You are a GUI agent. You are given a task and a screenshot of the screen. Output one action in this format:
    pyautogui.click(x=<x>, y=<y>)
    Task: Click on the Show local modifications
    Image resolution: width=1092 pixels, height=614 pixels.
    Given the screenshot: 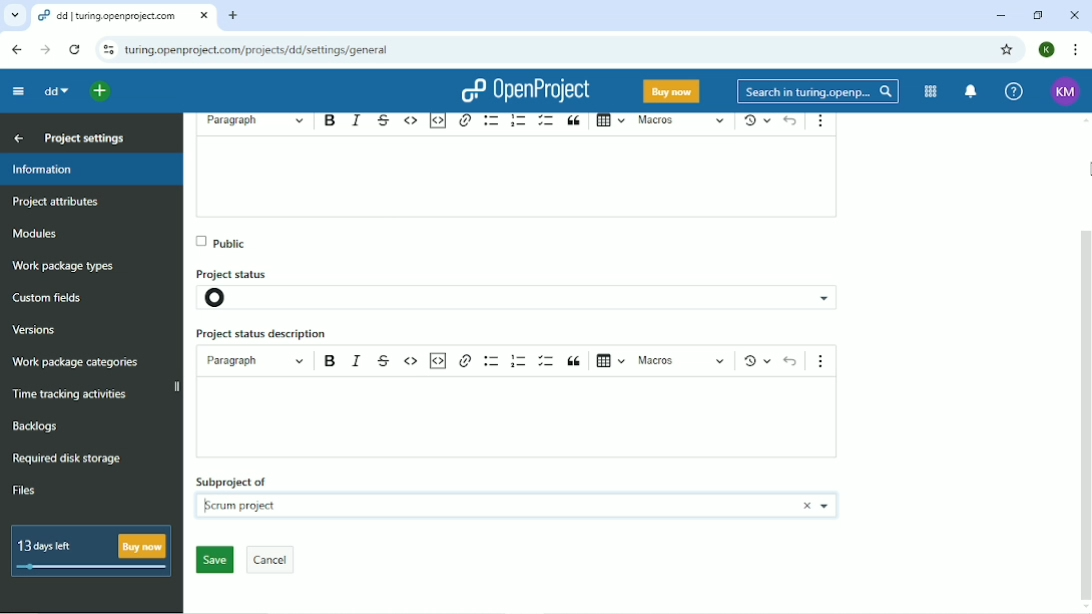 What is the action you would take?
    pyautogui.click(x=756, y=363)
    